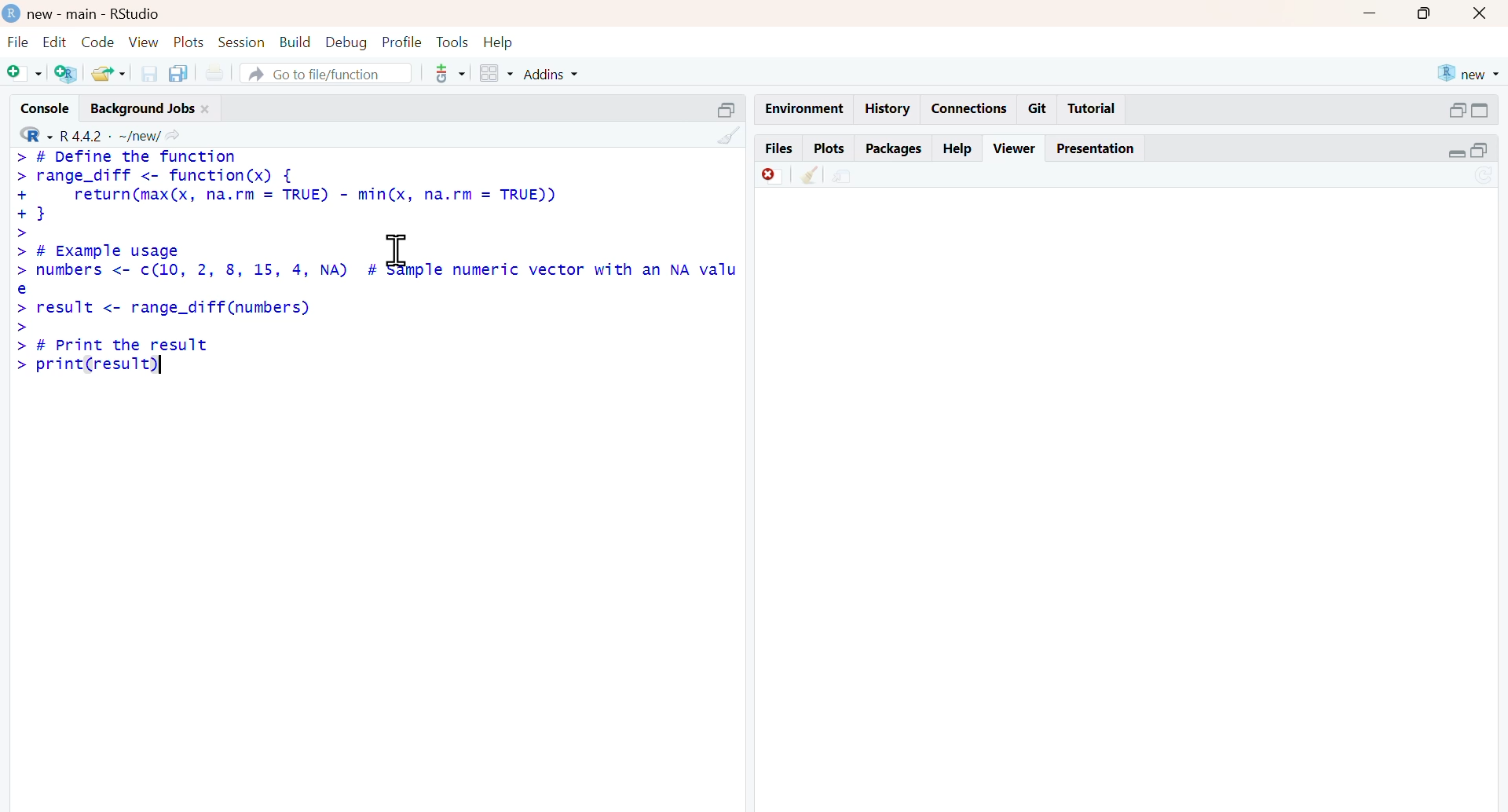  What do you see at coordinates (894, 150) in the screenshot?
I see `packages` at bounding box center [894, 150].